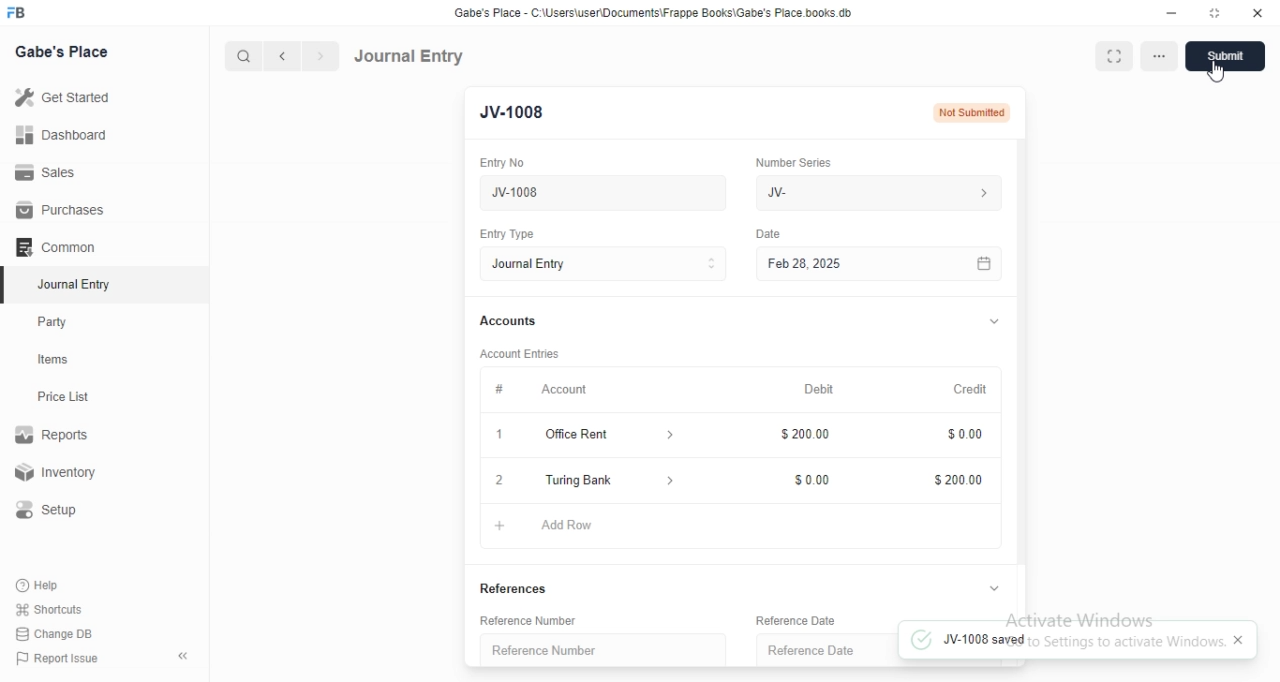 The width and height of the screenshot is (1280, 682). I want to click on Price List, so click(62, 397).